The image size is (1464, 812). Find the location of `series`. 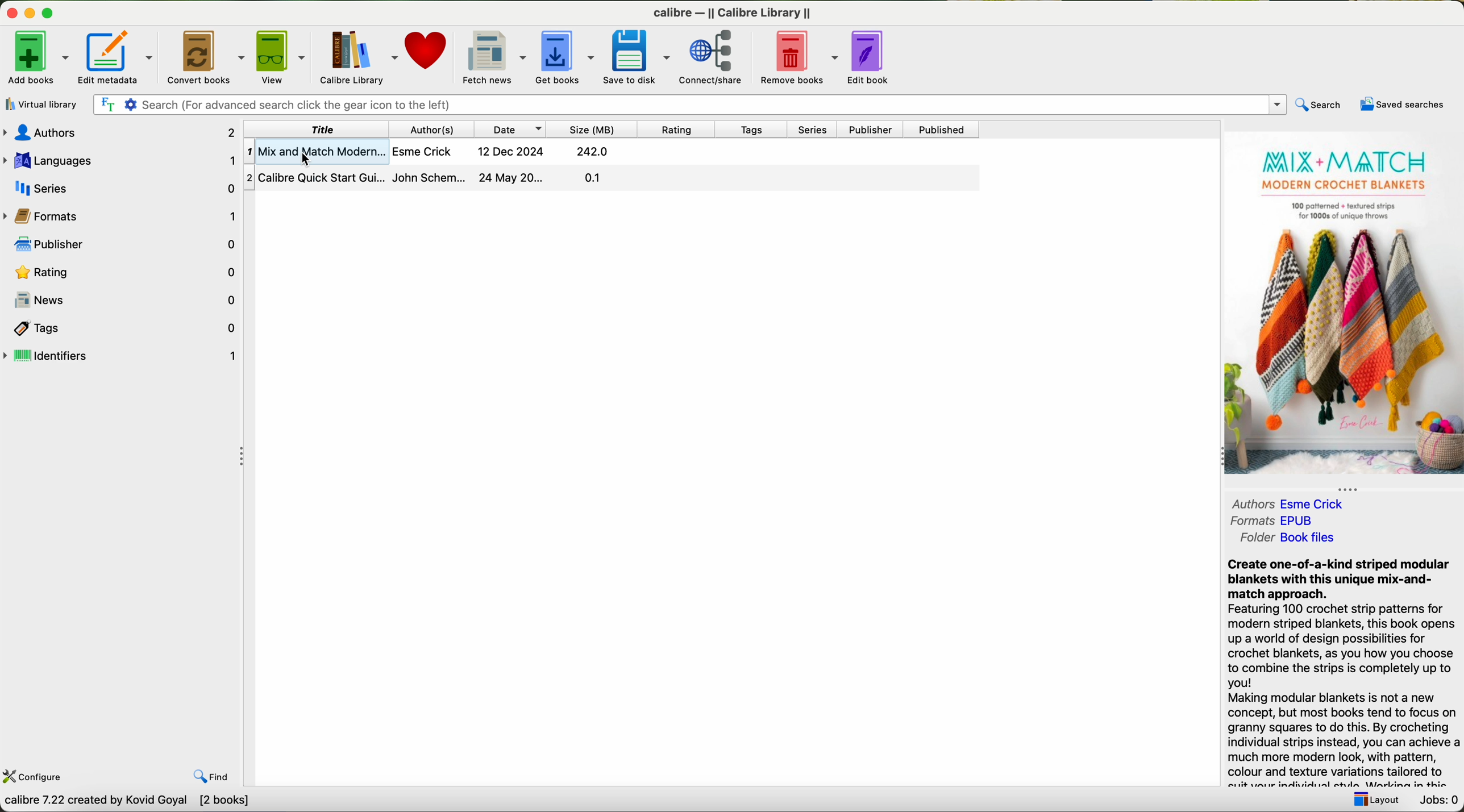

series is located at coordinates (122, 186).